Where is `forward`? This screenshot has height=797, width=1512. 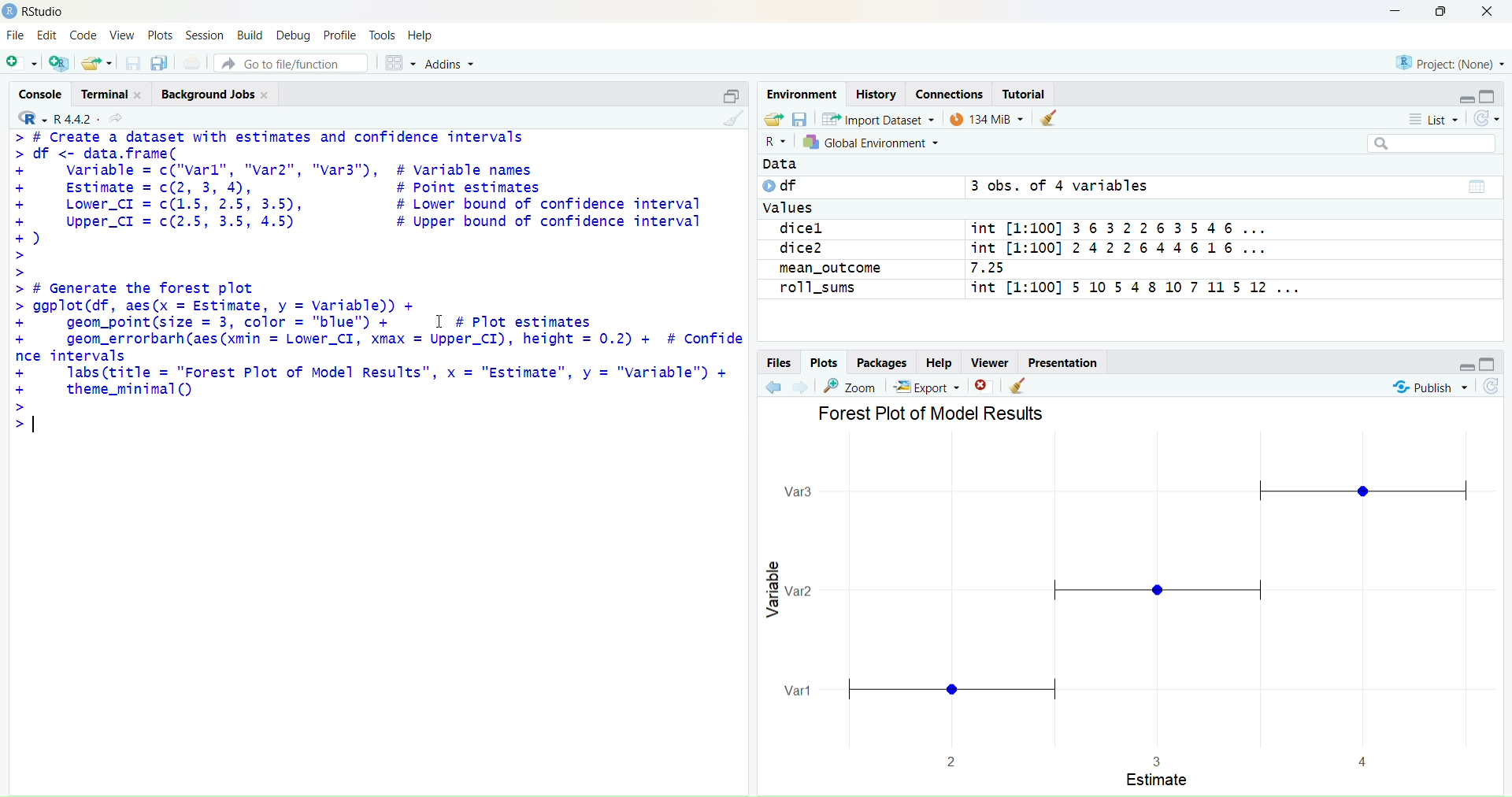 forward is located at coordinates (800, 387).